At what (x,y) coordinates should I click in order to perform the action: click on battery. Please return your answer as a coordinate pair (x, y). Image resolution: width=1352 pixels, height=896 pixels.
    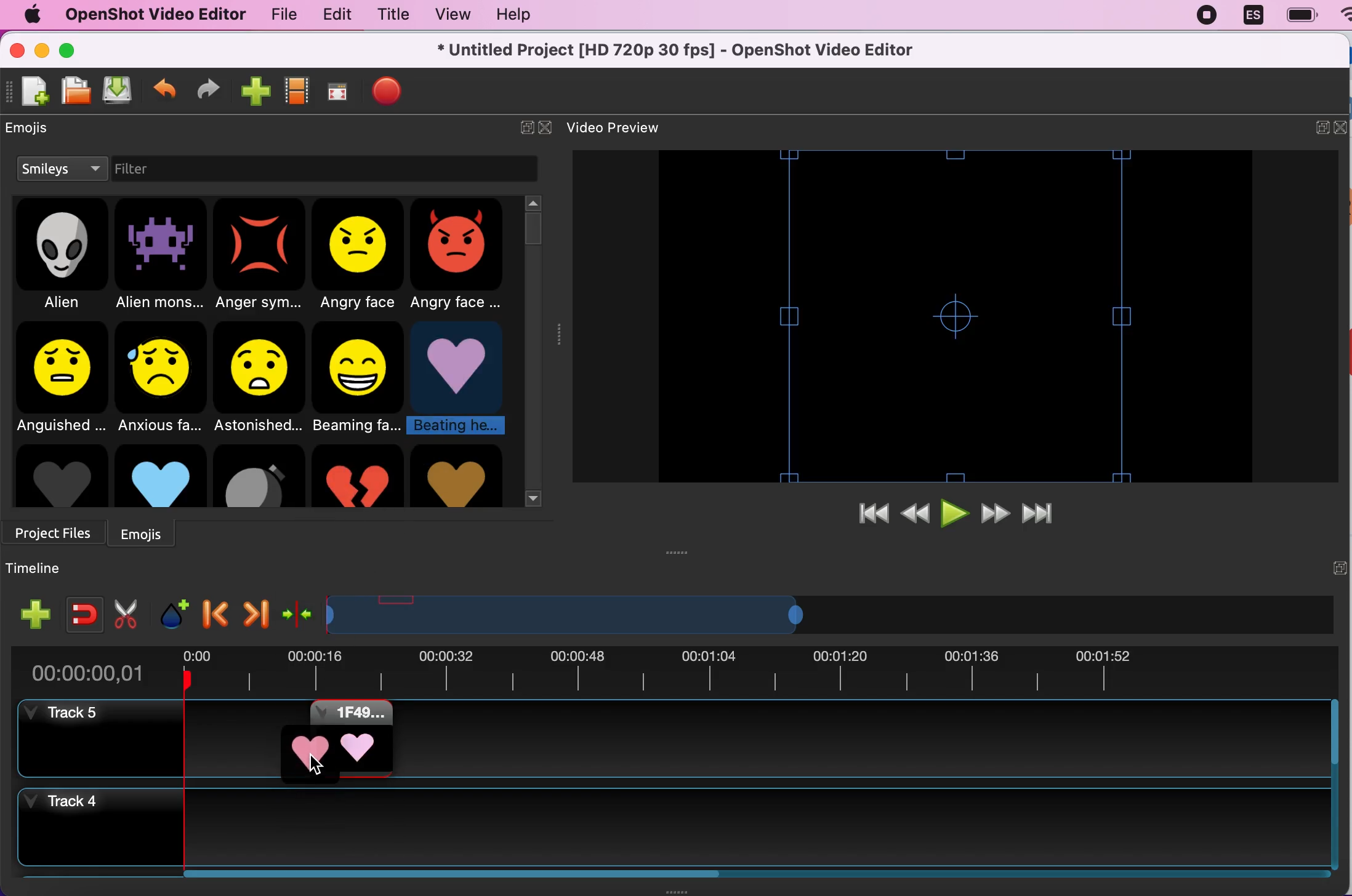
    Looking at the image, I should click on (1297, 15).